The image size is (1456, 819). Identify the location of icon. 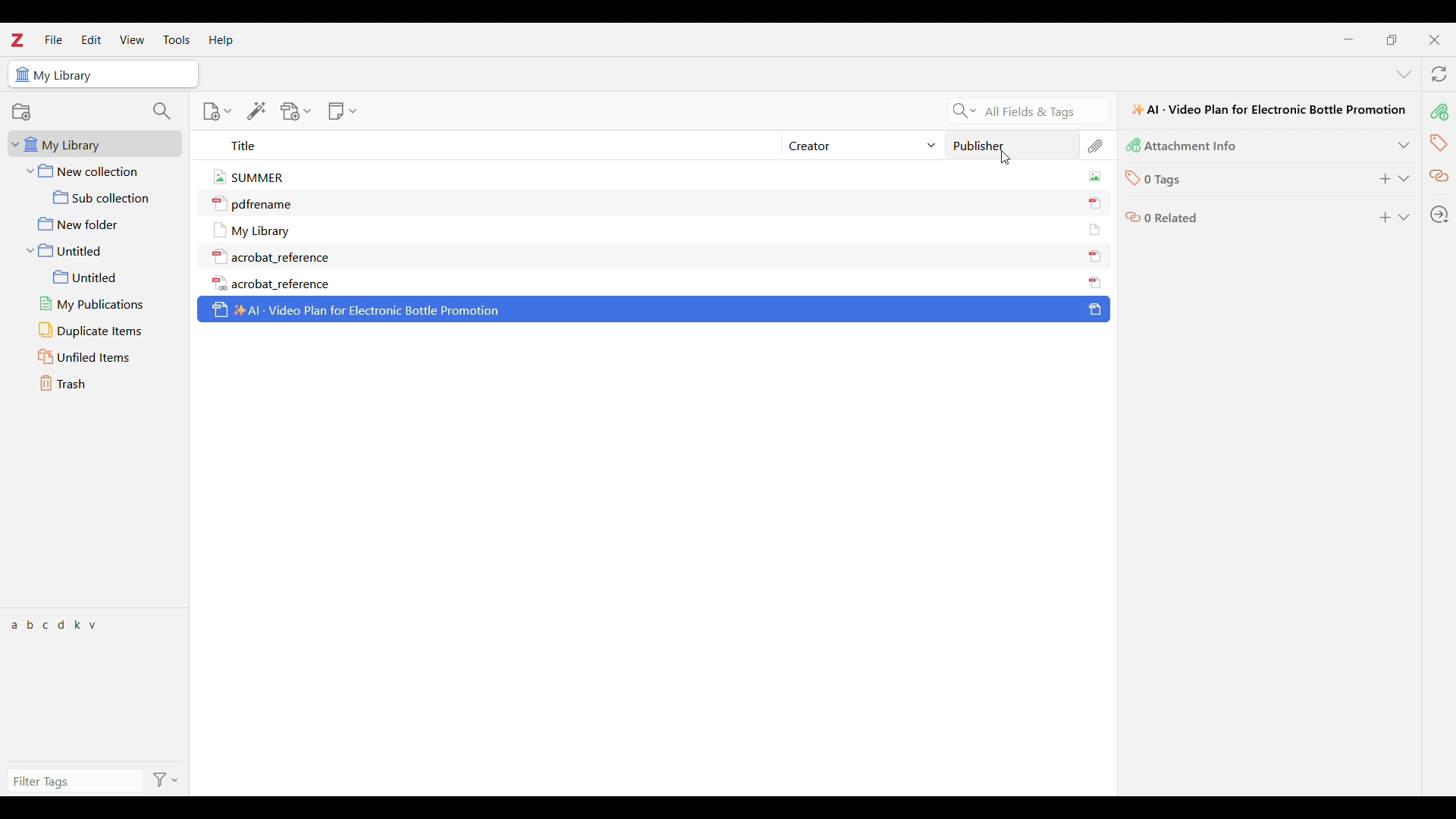
(1095, 283).